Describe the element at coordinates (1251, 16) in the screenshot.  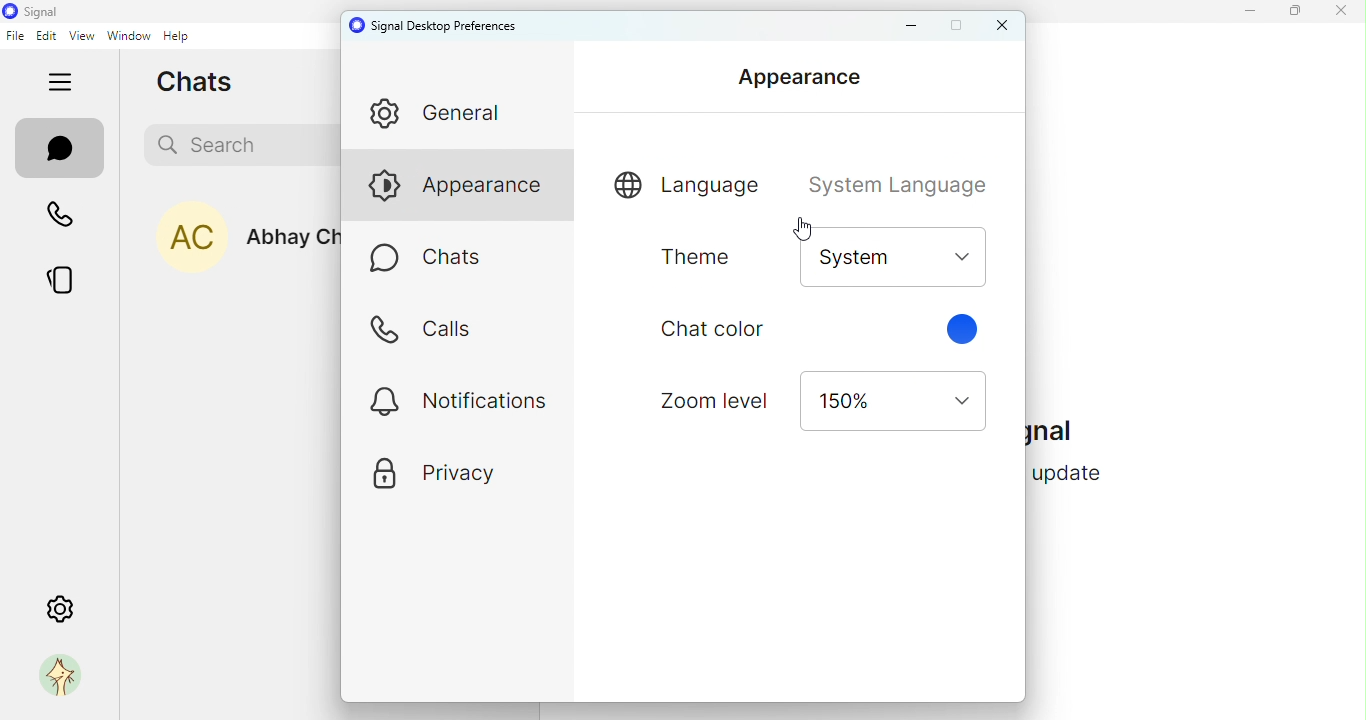
I see `minimize` at that location.